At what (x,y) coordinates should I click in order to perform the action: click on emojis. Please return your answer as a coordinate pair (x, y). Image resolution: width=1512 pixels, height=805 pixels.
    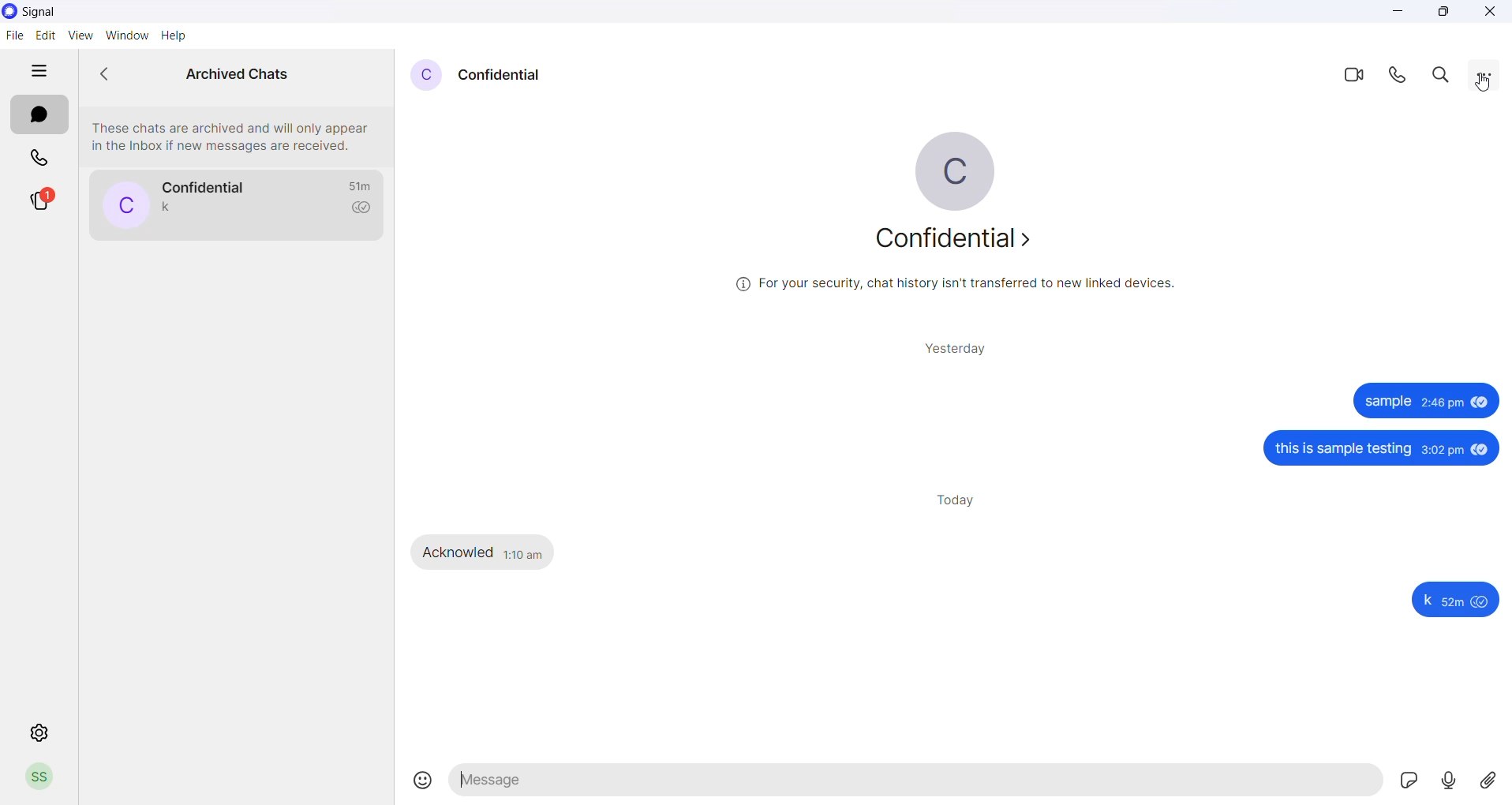
    Looking at the image, I should click on (417, 781).